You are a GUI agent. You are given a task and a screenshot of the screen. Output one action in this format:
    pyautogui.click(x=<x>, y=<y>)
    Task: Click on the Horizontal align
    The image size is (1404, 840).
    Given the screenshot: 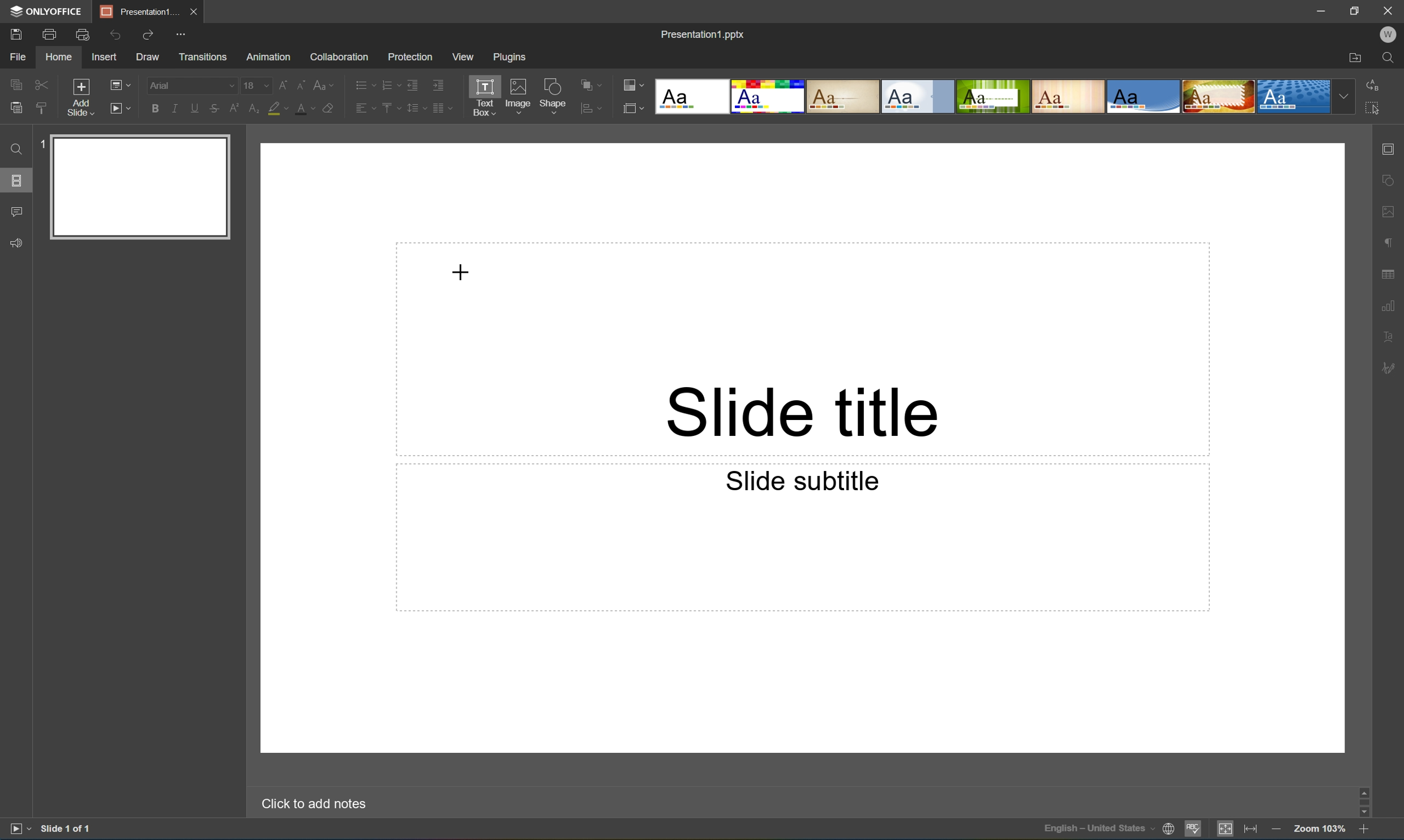 What is the action you would take?
    pyautogui.click(x=365, y=109)
    